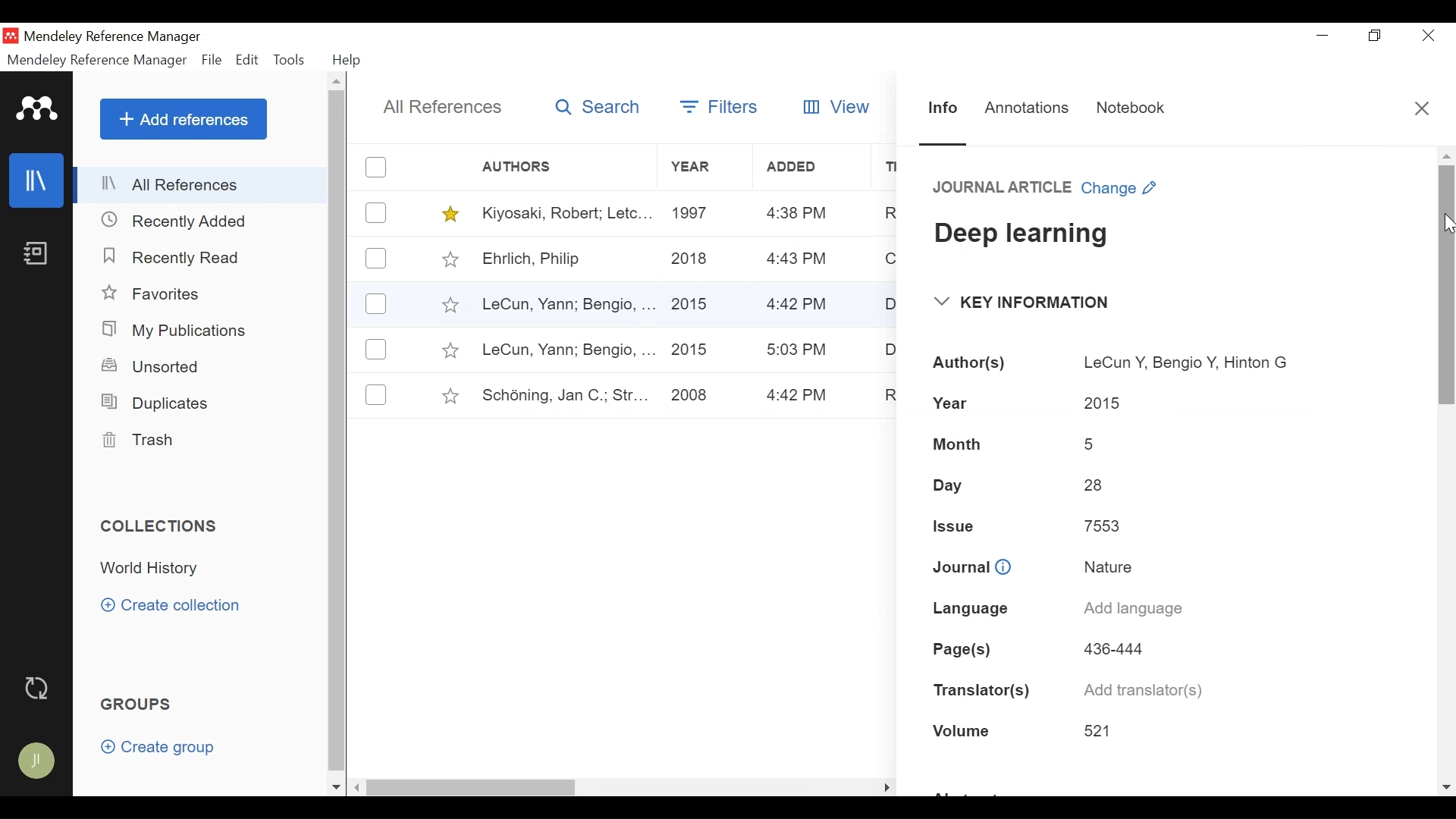 The width and height of the screenshot is (1456, 819). I want to click on Add References, so click(184, 119).